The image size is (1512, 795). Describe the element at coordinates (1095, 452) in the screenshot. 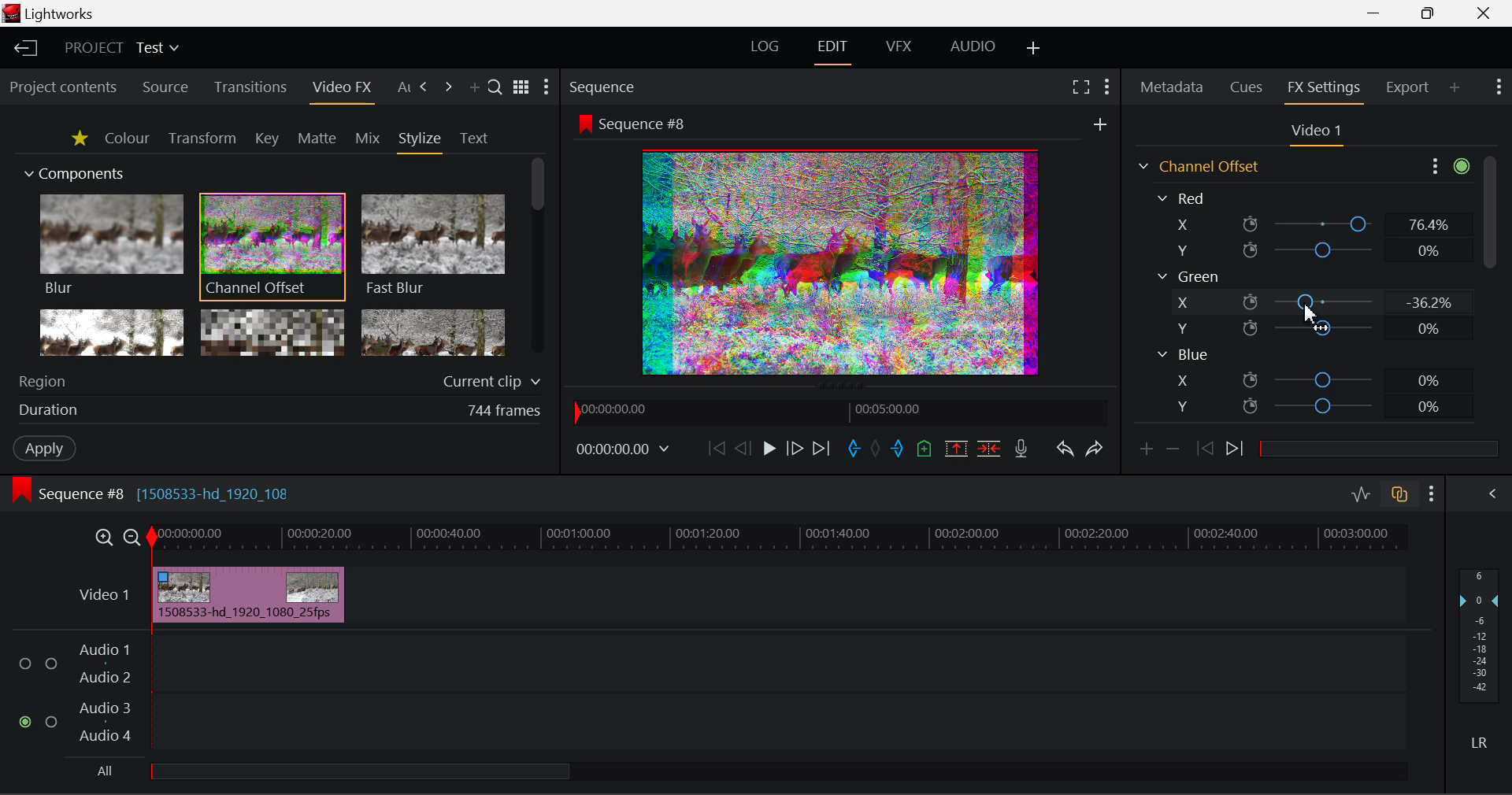

I see `Redo` at that location.